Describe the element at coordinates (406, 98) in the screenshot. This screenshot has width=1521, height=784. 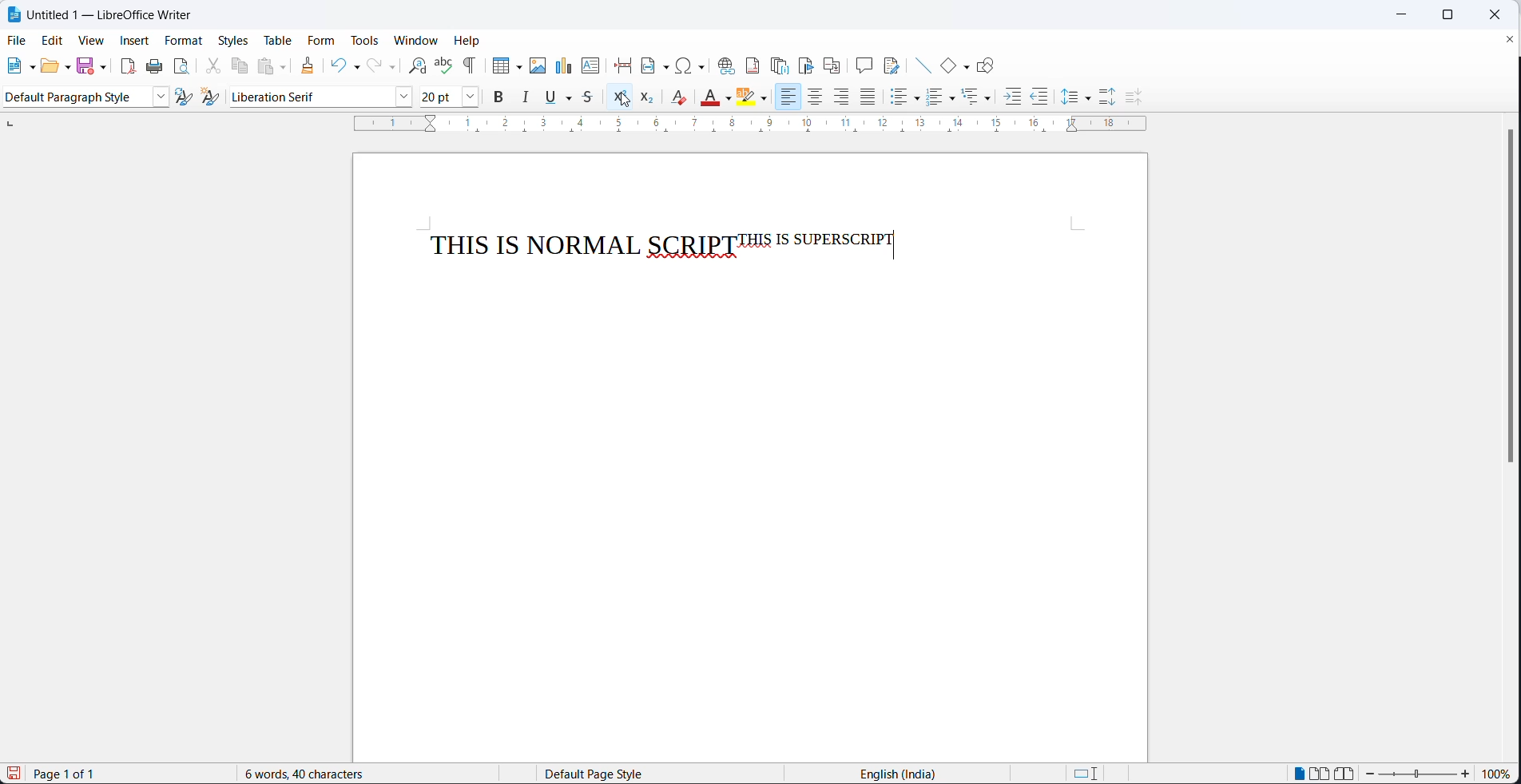
I see `font name options` at that location.